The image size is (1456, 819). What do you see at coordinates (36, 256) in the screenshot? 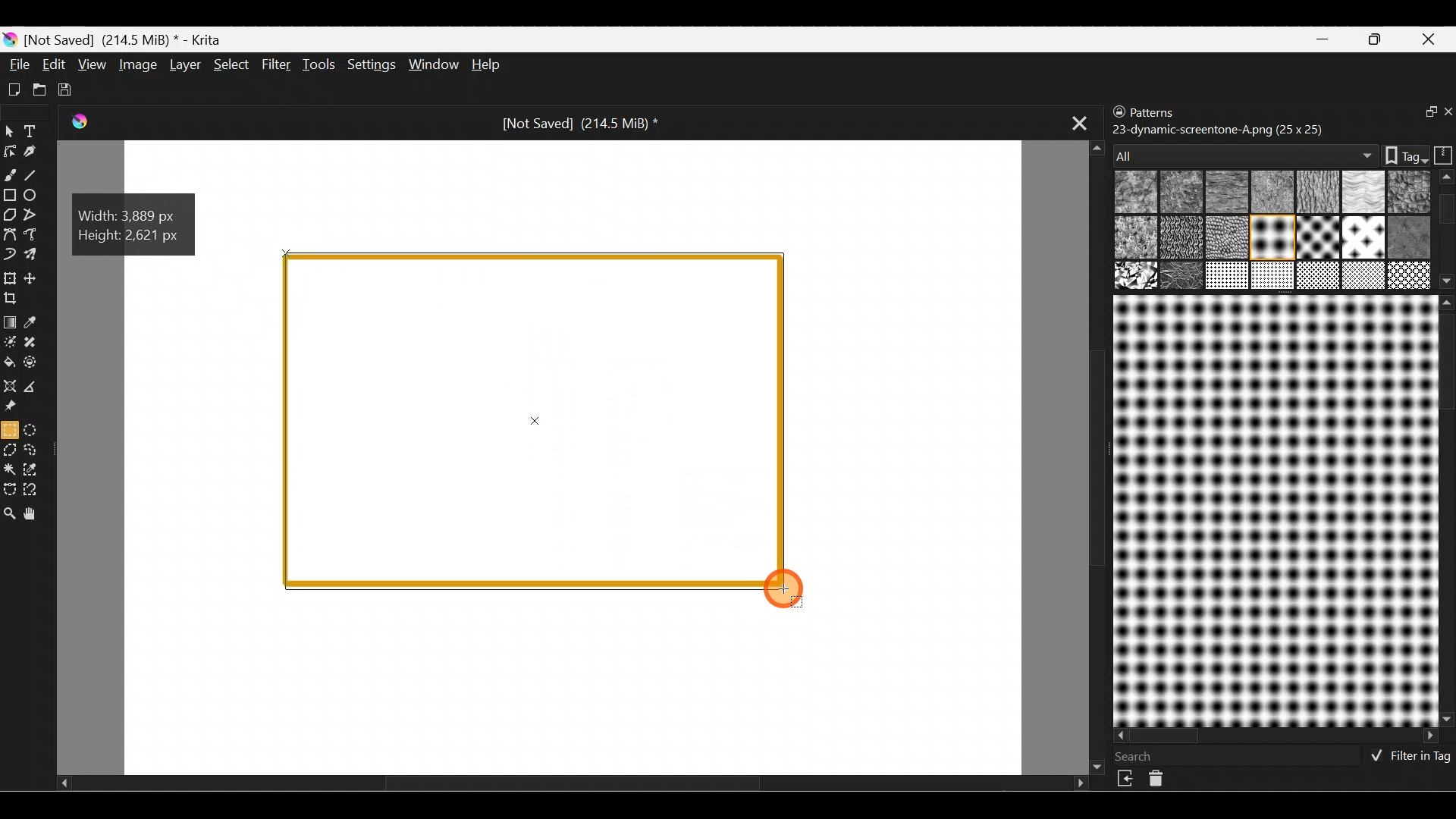
I see `Multibrush tool` at bounding box center [36, 256].